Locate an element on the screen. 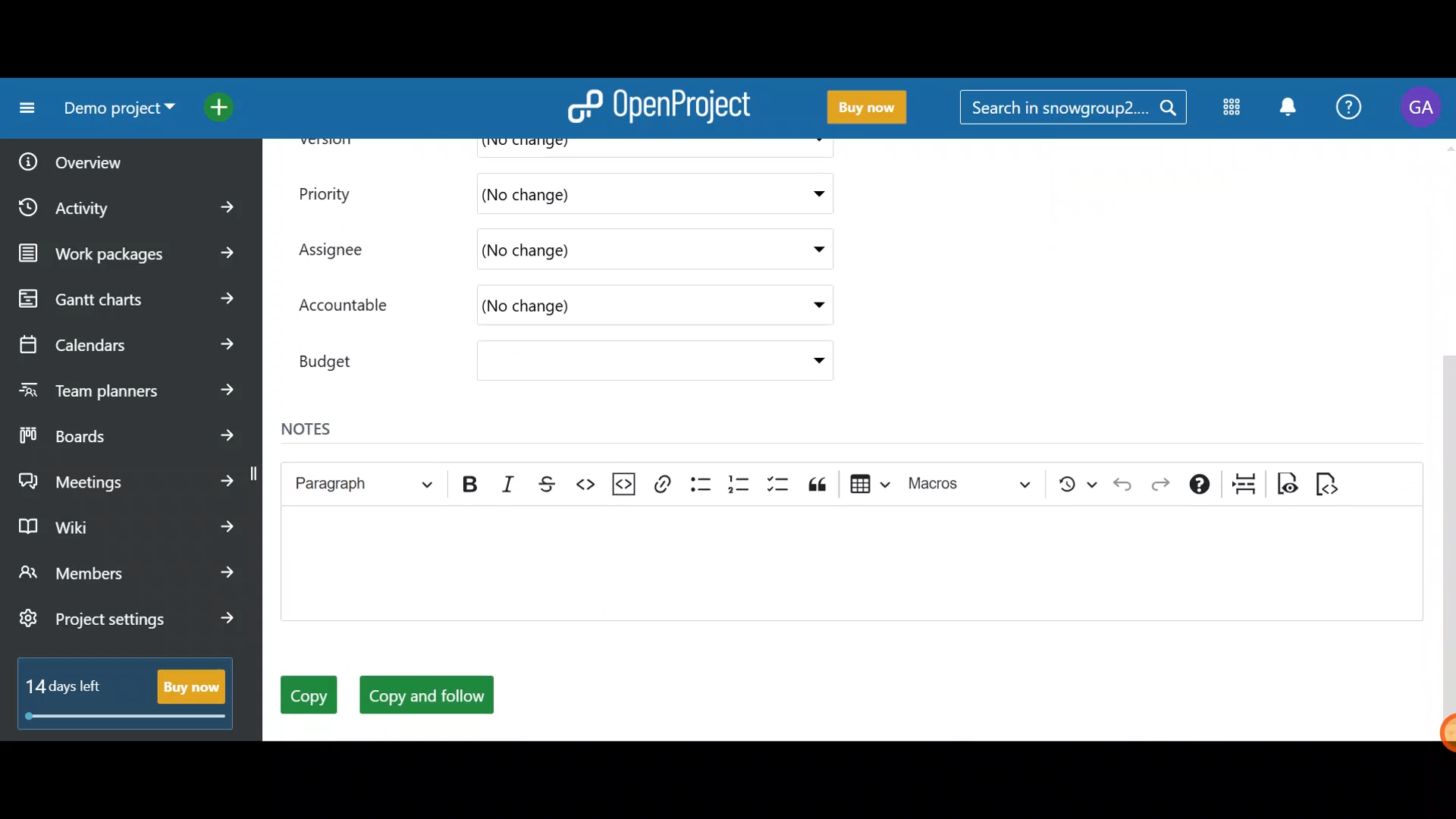 This screenshot has width=1456, height=819. Priority dropdown is located at coordinates (815, 193).